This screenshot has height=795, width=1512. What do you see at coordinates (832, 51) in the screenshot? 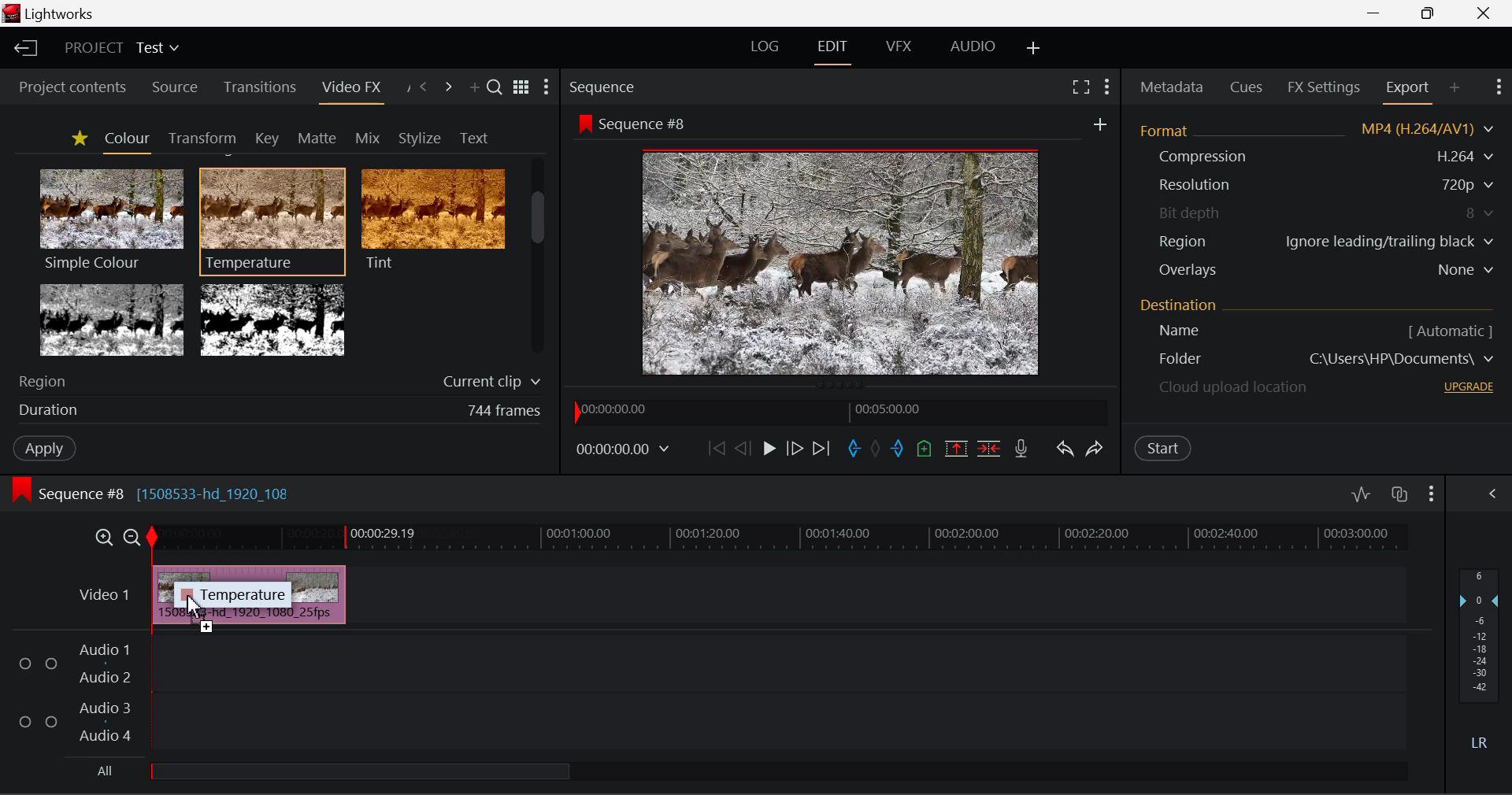
I see `EDIT Layout` at bounding box center [832, 51].